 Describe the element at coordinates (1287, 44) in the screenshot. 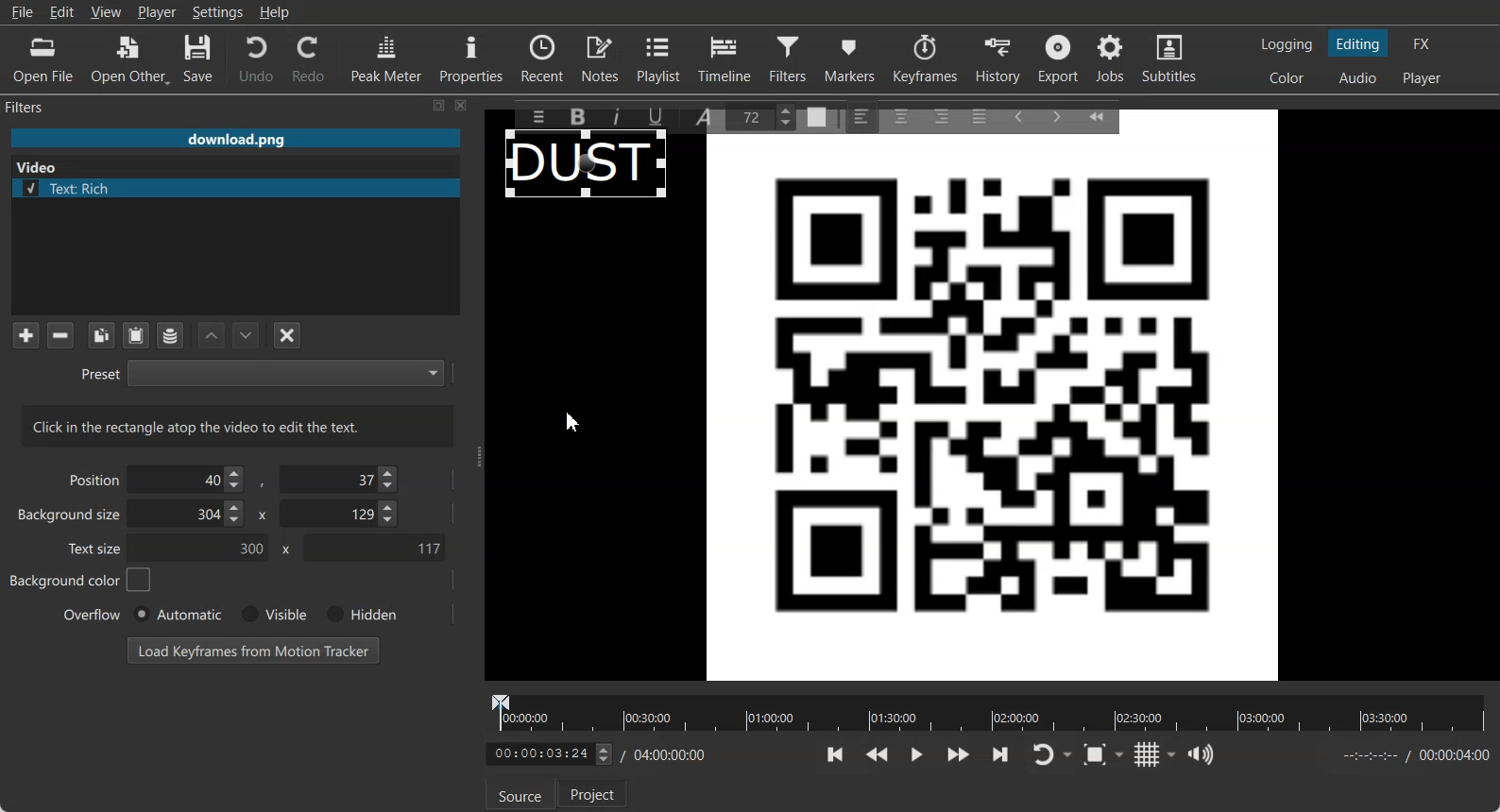

I see `Switching to the logging layout` at that location.